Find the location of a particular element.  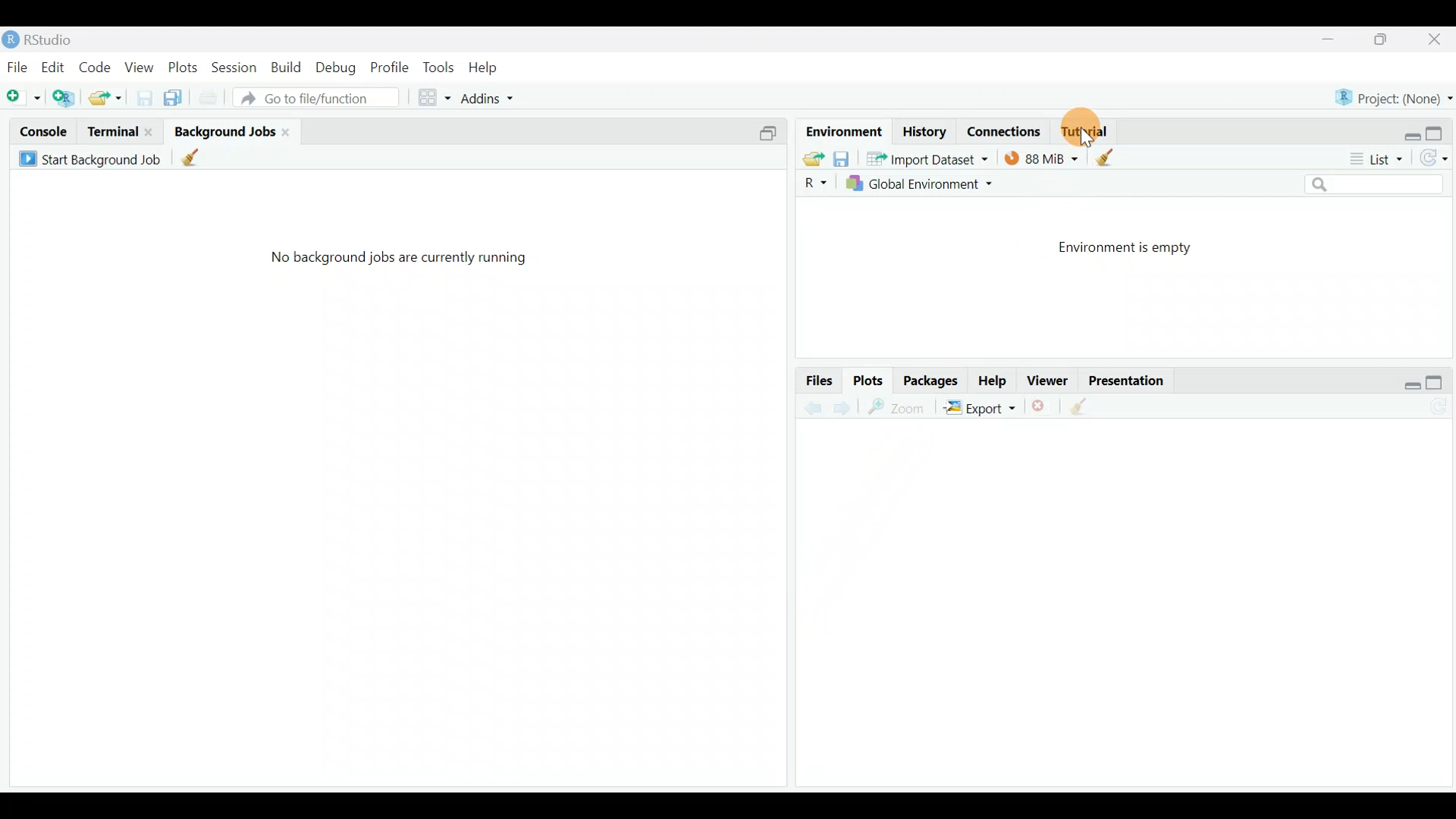

Session is located at coordinates (235, 71).